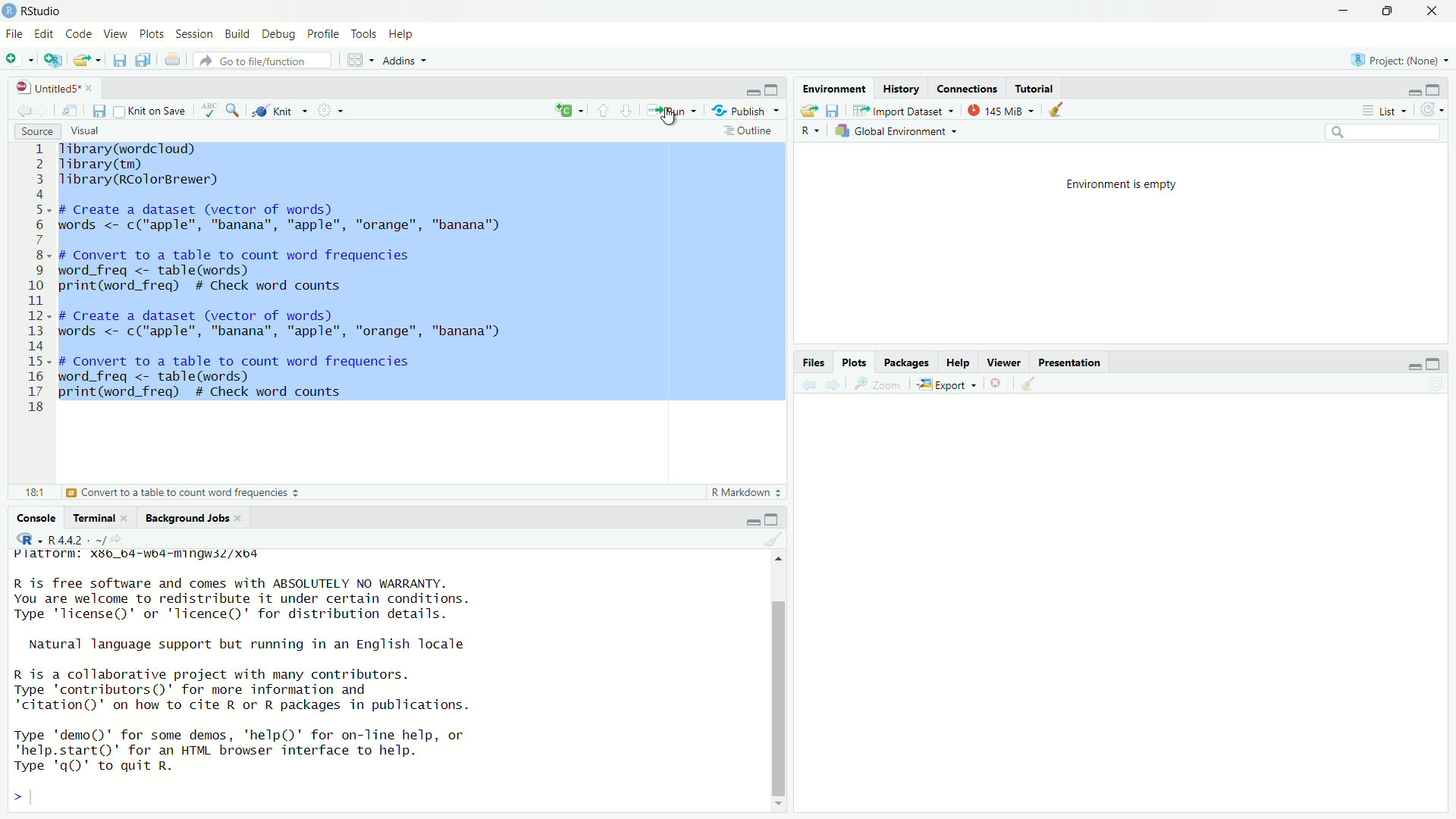 The height and width of the screenshot is (819, 1456). What do you see at coordinates (32, 517) in the screenshot?
I see `Console` at bounding box center [32, 517].